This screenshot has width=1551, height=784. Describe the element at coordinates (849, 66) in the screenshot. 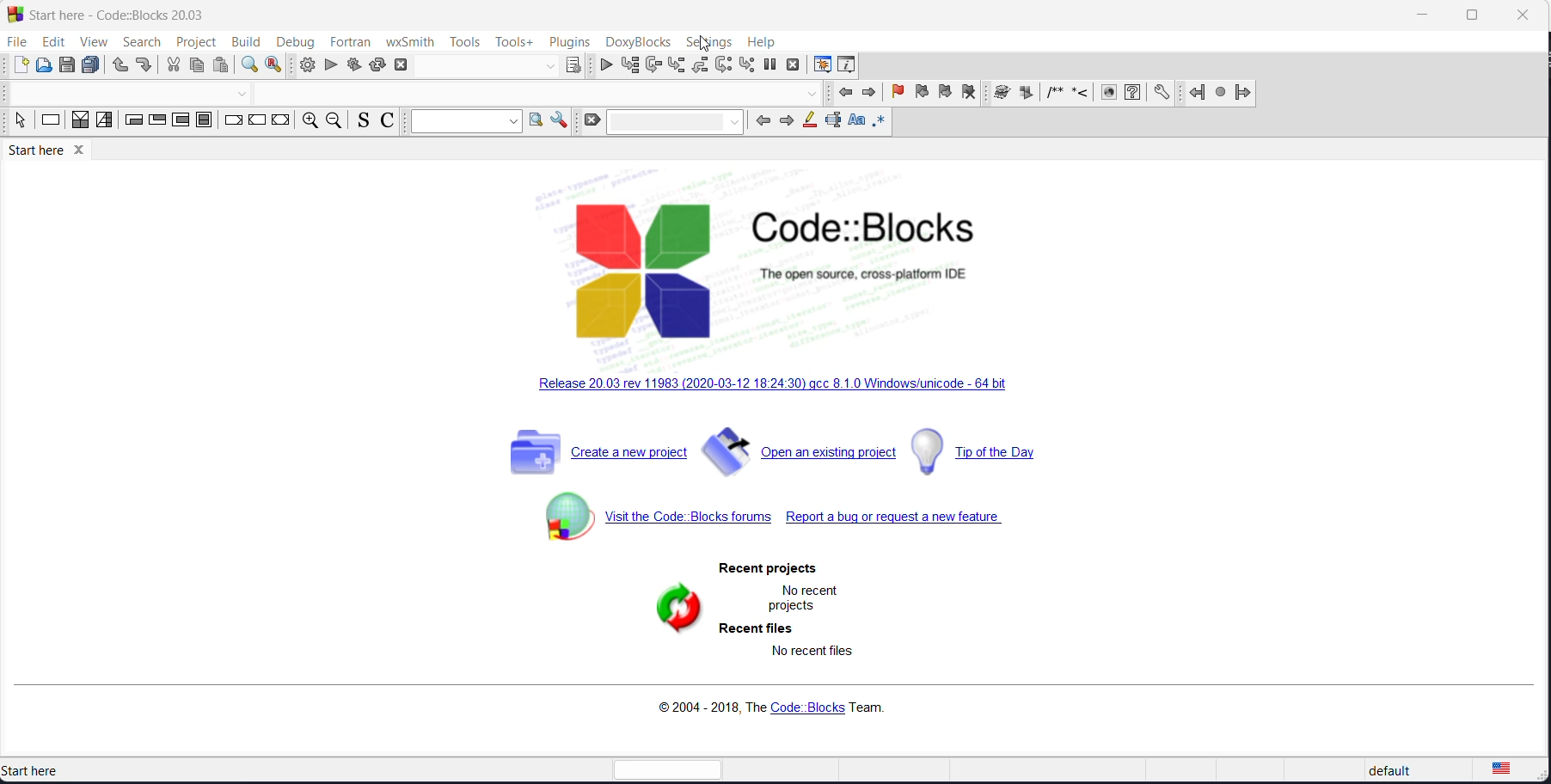

I see `various info` at that location.